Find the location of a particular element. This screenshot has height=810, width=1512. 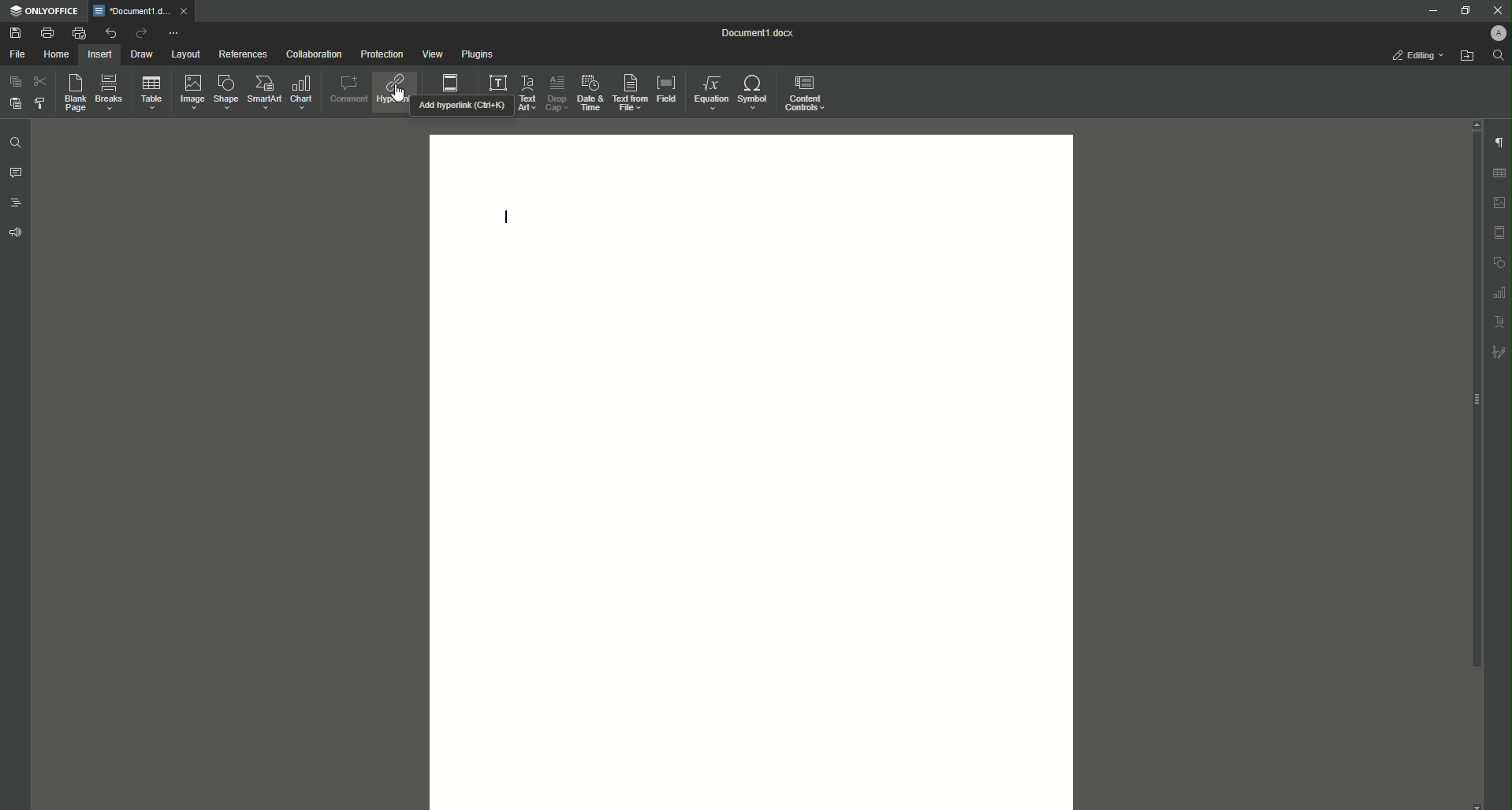

ONLYOFFICE is located at coordinates (44, 12).